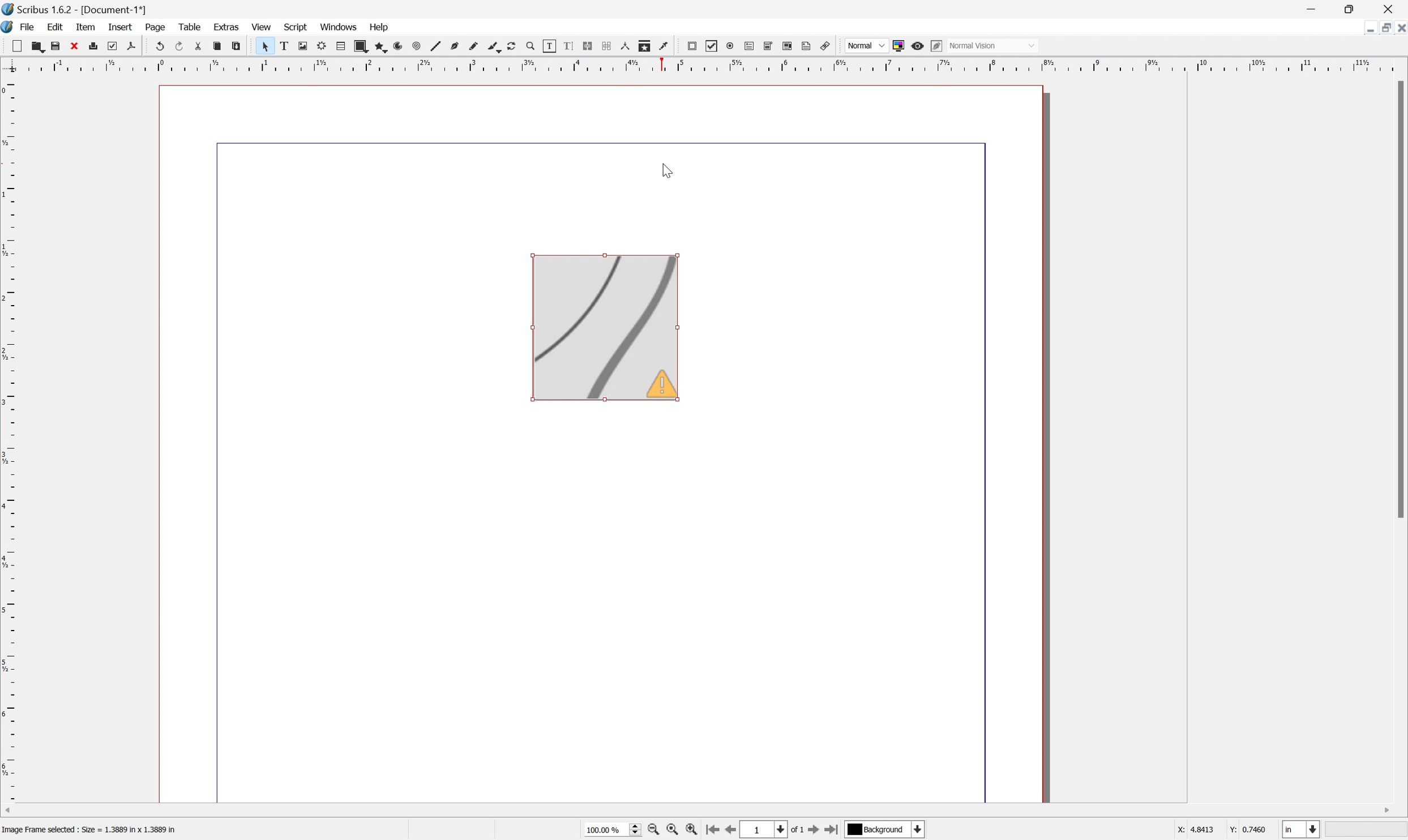 The height and width of the screenshot is (840, 1408). I want to click on Freehand line, so click(477, 48).